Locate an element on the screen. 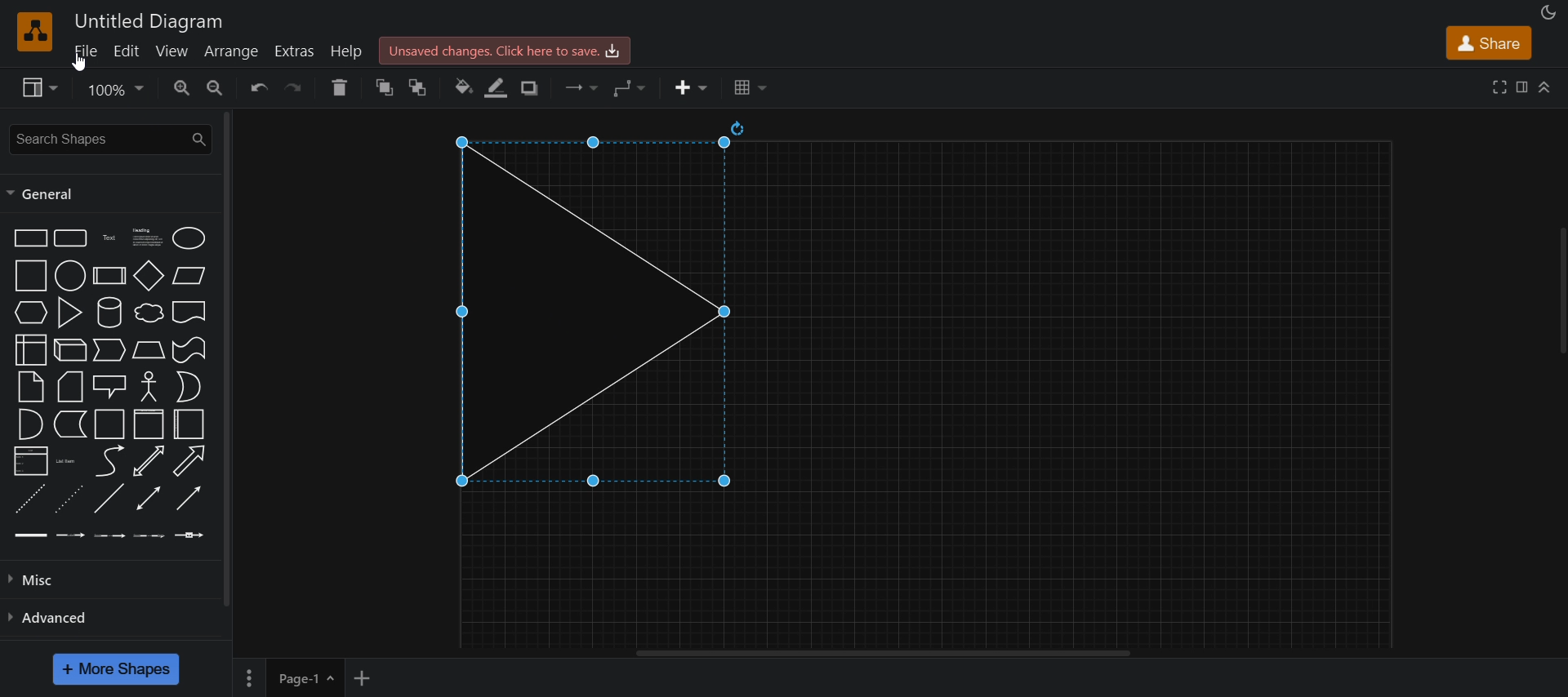 The image size is (1568, 697). container is located at coordinates (147, 424).